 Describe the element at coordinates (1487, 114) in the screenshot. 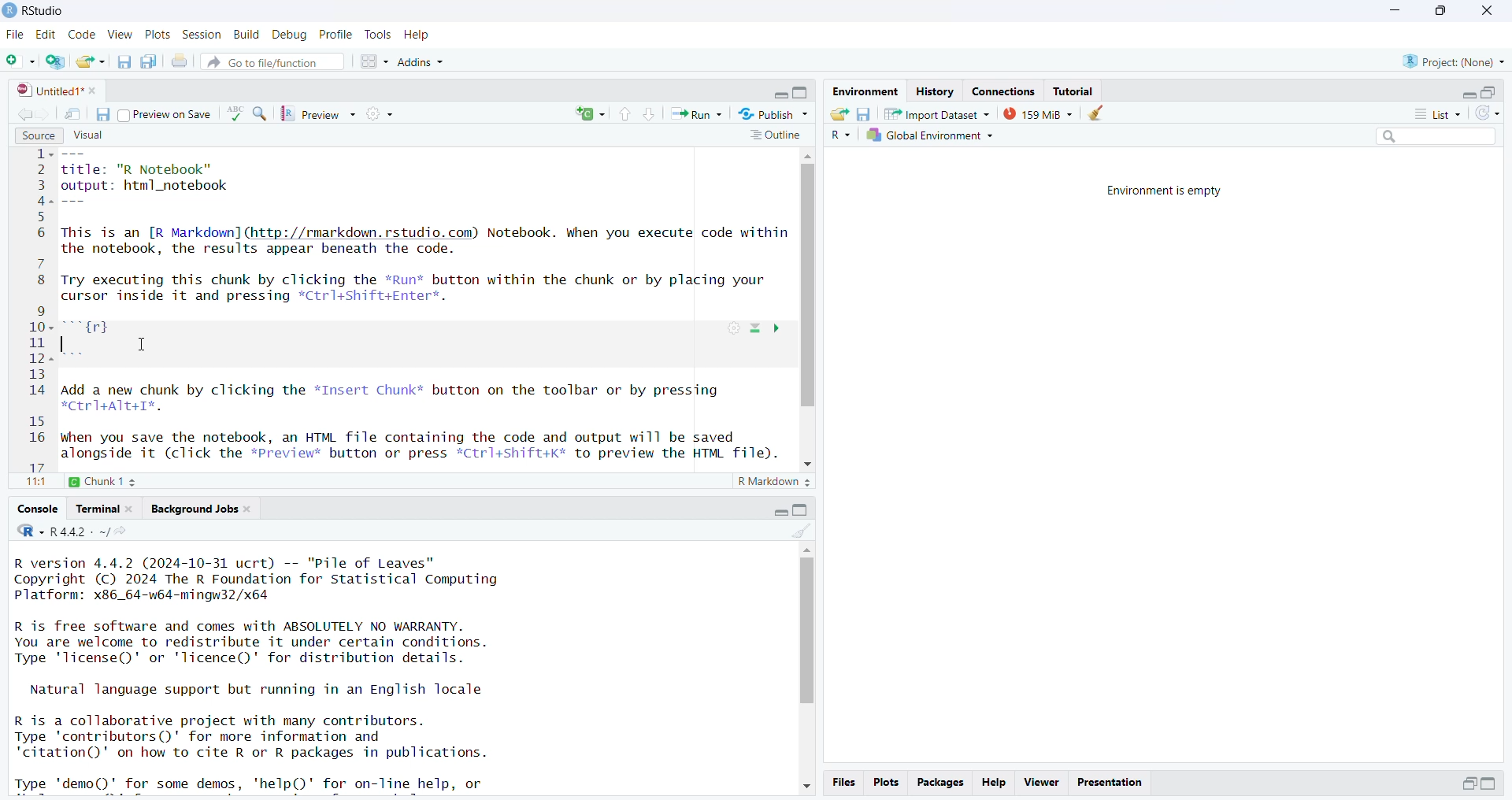

I see `refresh list` at that location.